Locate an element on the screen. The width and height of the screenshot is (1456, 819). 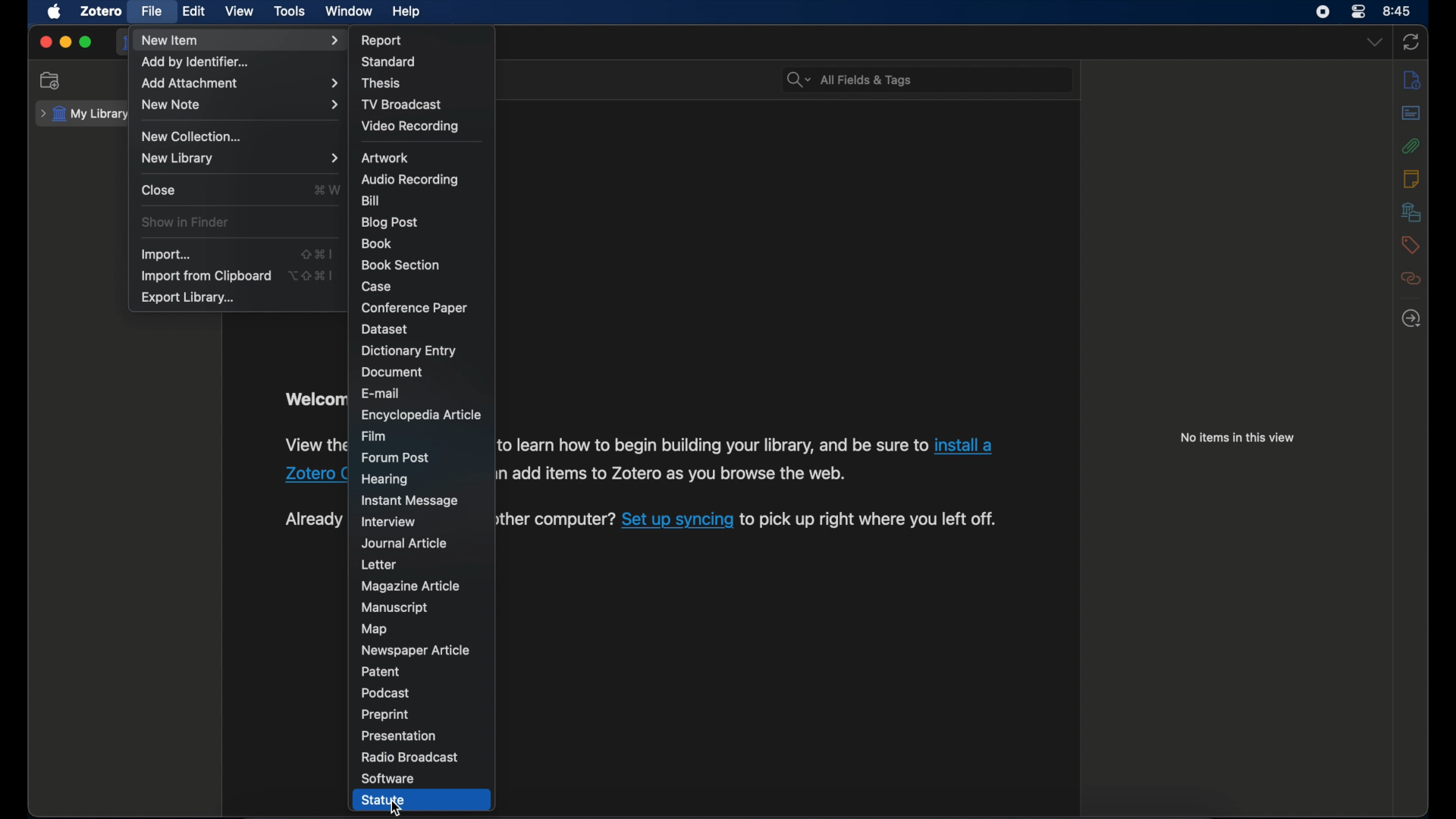
shortcut is located at coordinates (328, 190).